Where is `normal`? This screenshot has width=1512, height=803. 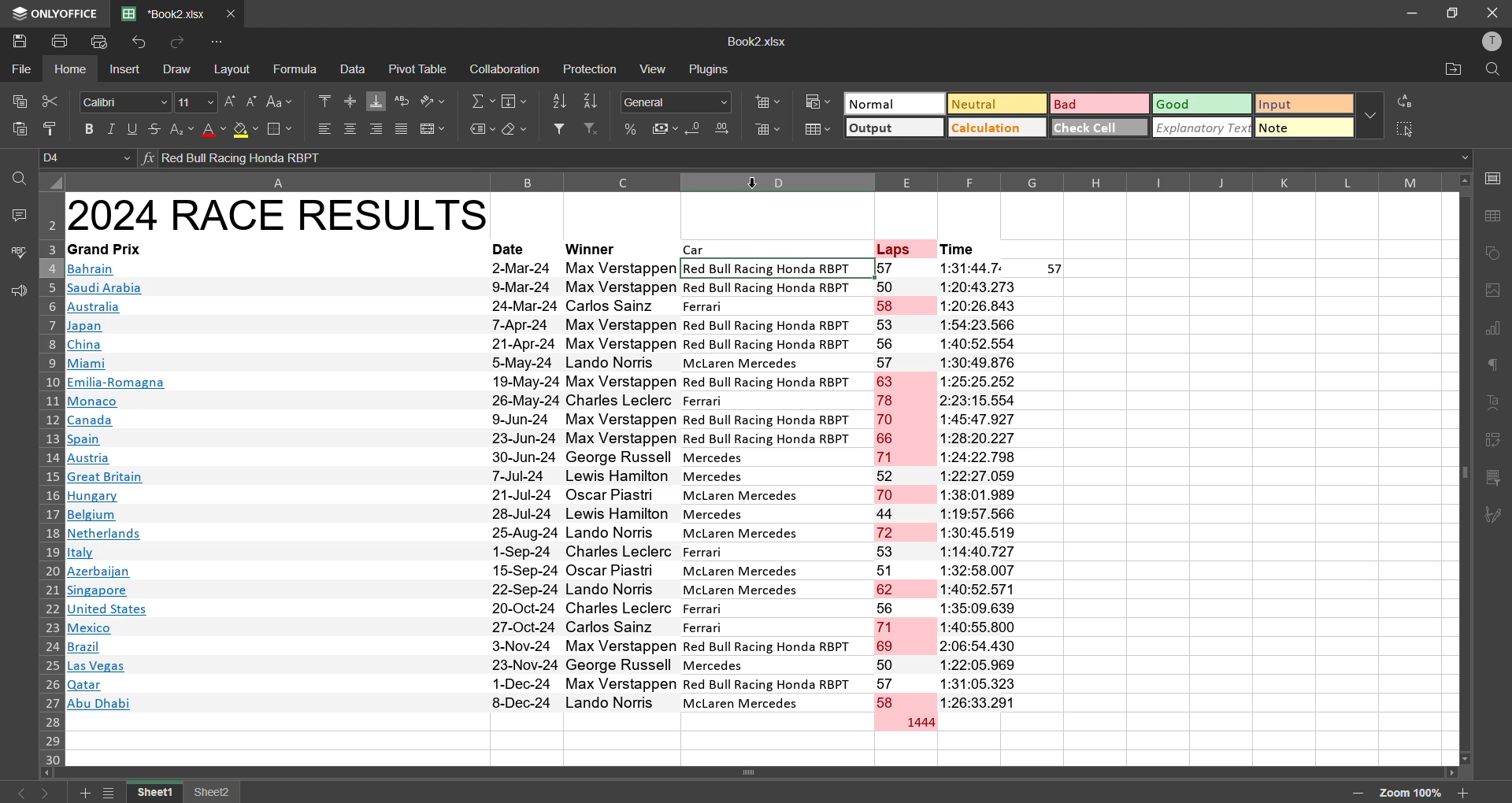 normal is located at coordinates (892, 103).